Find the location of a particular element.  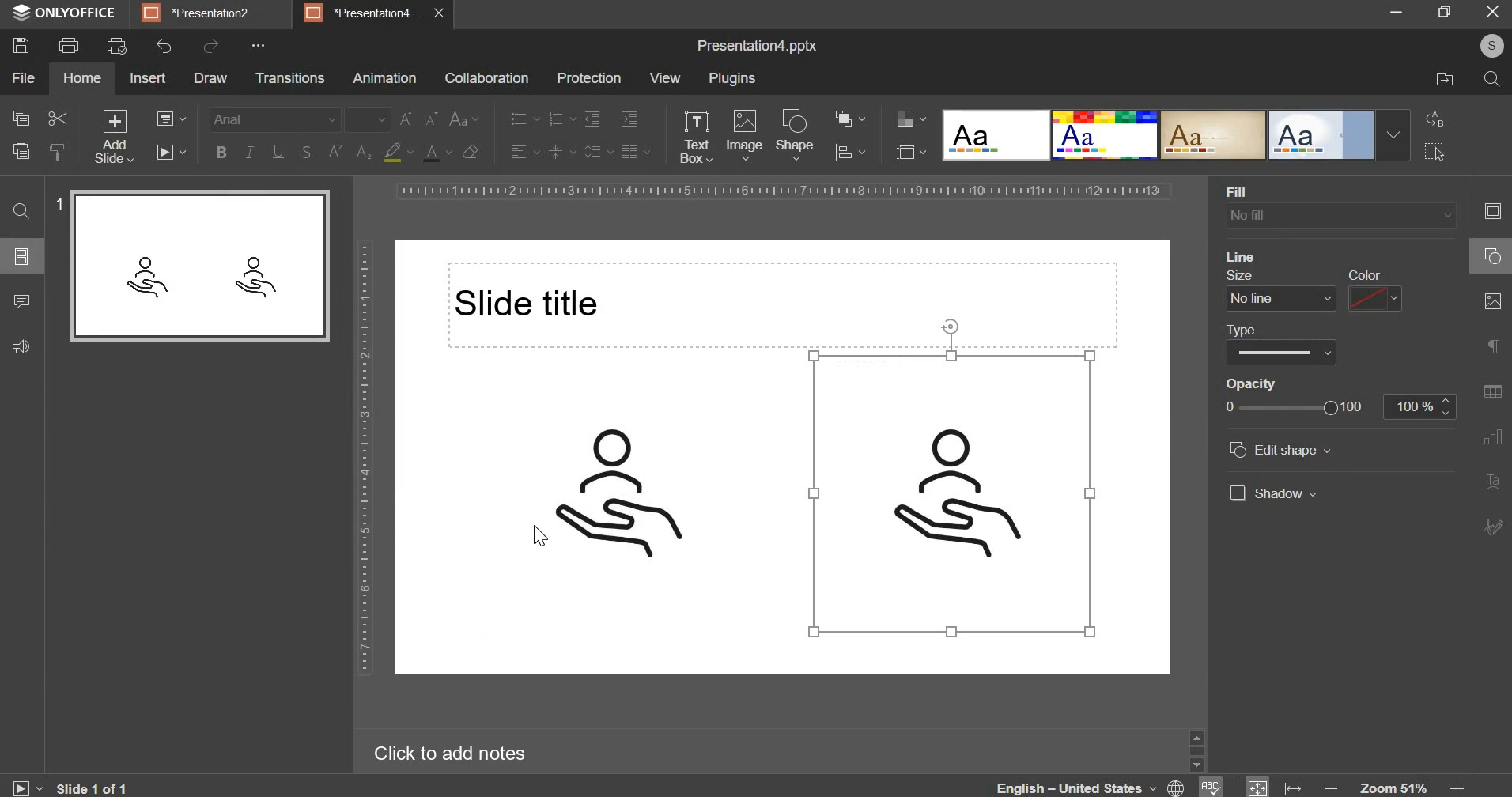

decrease zoom is located at coordinates (1334, 788).